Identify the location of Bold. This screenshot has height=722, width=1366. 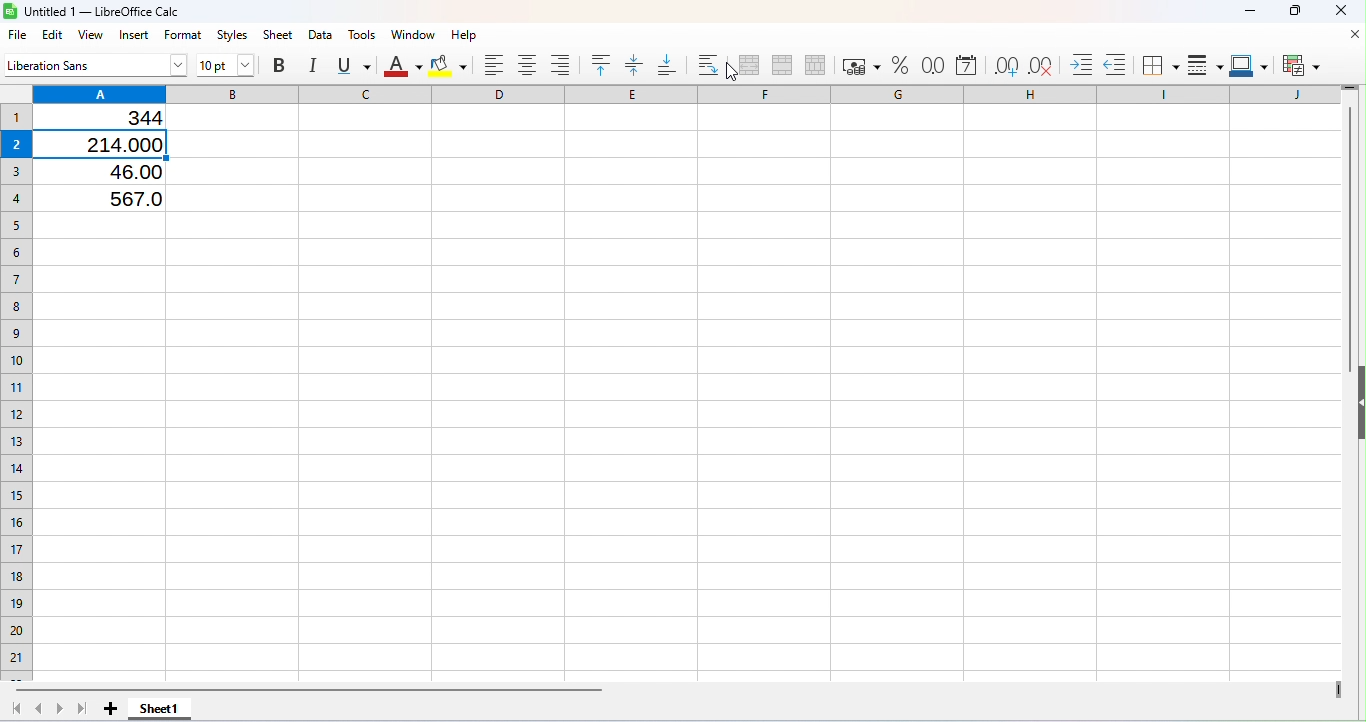
(284, 64).